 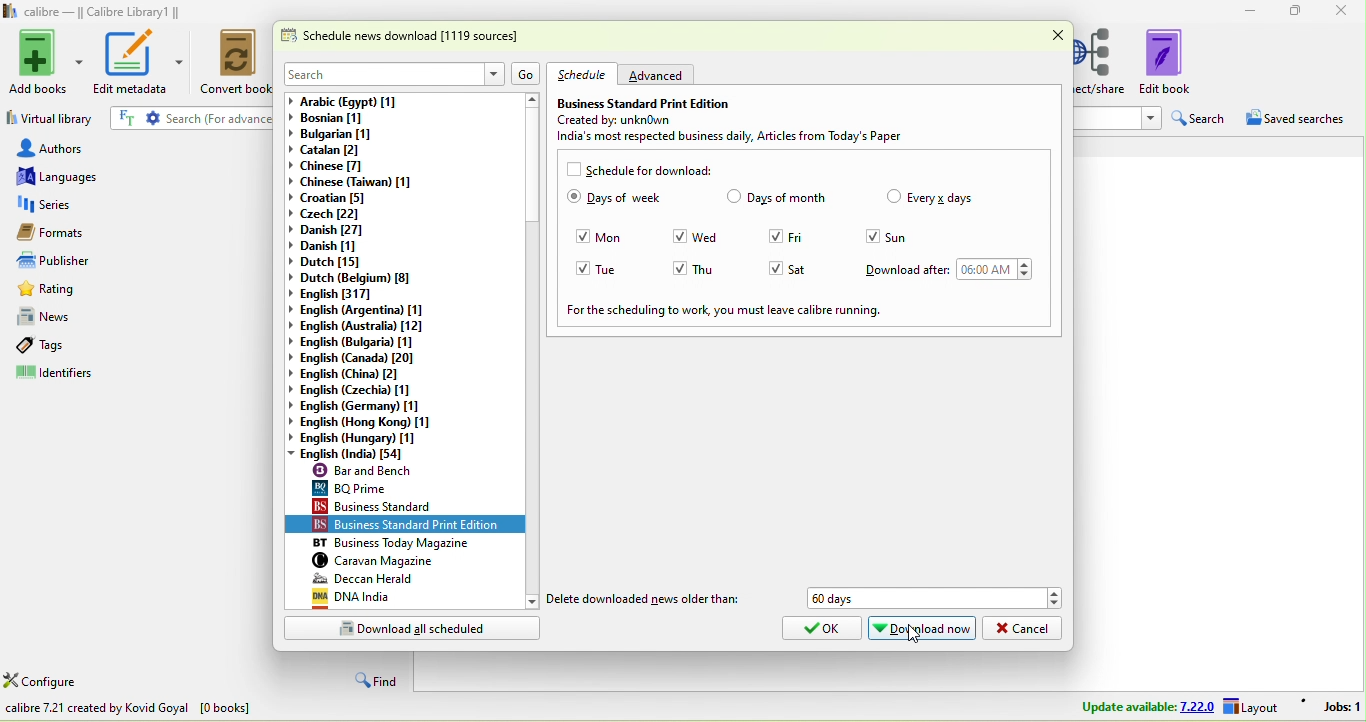 What do you see at coordinates (572, 168) in the screenshot?
I see `Checkboc` at bounding box center [572, 168].